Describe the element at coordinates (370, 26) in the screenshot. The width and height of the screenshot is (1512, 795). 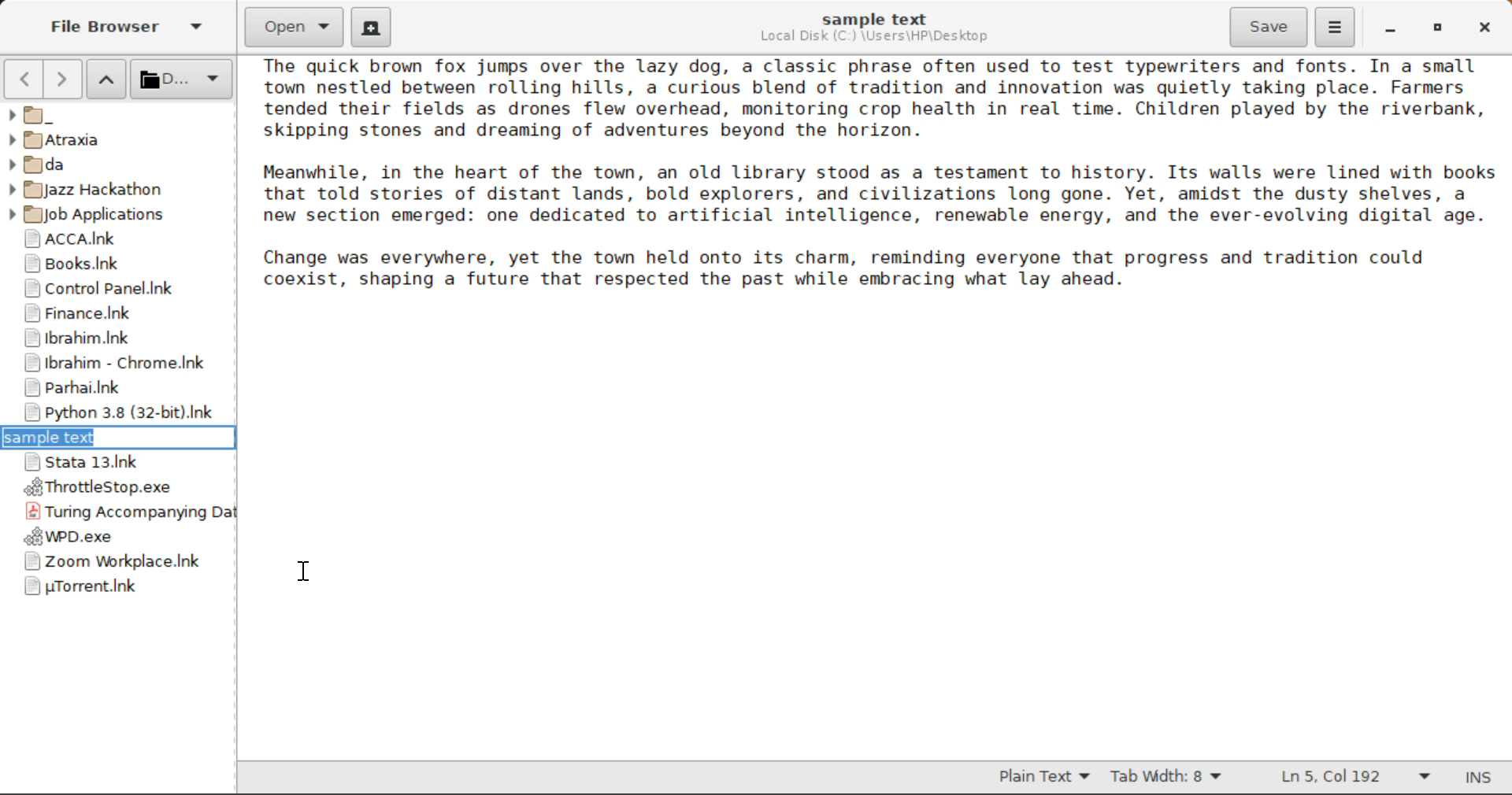
I see `Create New Document` at that location.